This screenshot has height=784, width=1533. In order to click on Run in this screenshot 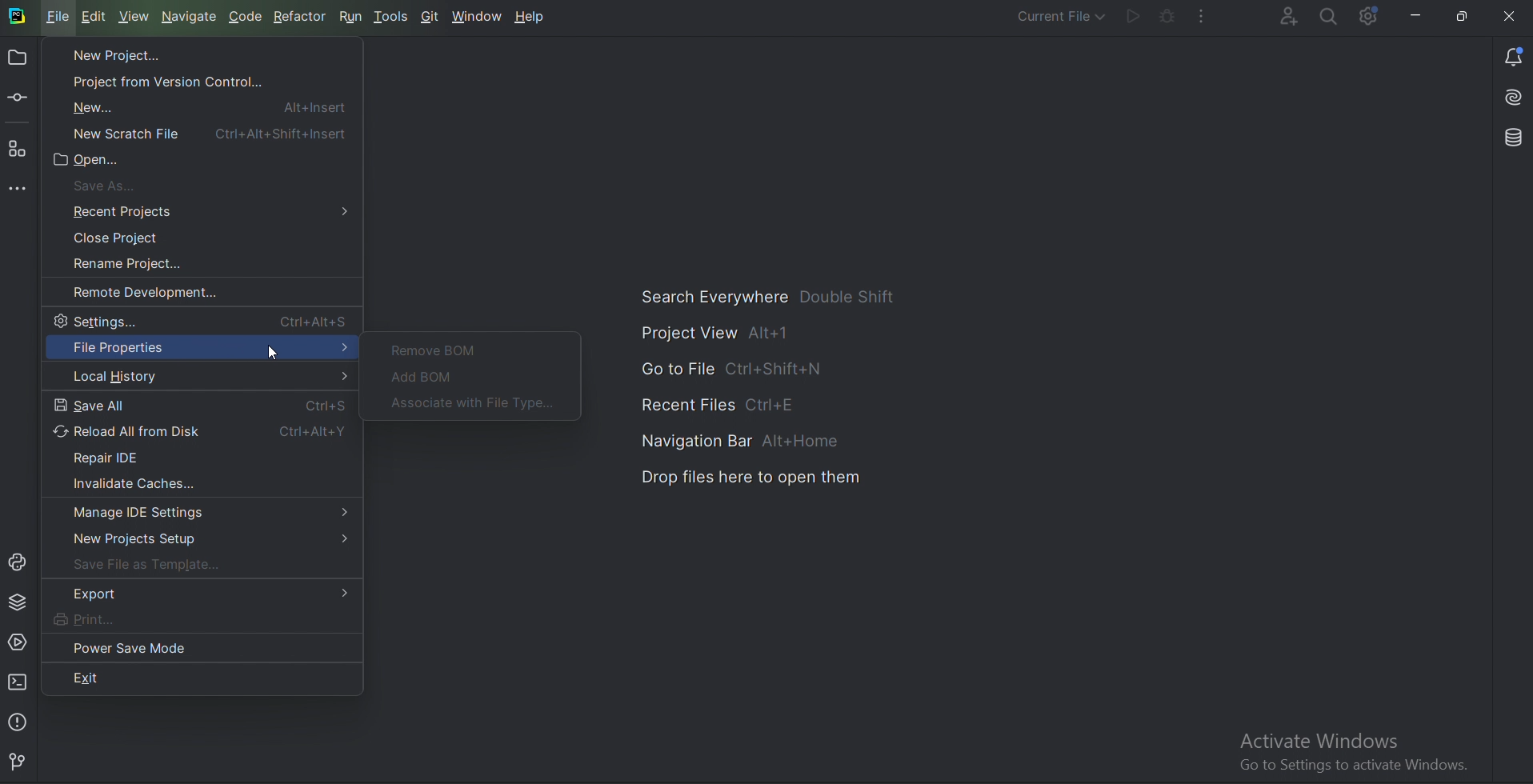, I will do `click(353, 16)`.